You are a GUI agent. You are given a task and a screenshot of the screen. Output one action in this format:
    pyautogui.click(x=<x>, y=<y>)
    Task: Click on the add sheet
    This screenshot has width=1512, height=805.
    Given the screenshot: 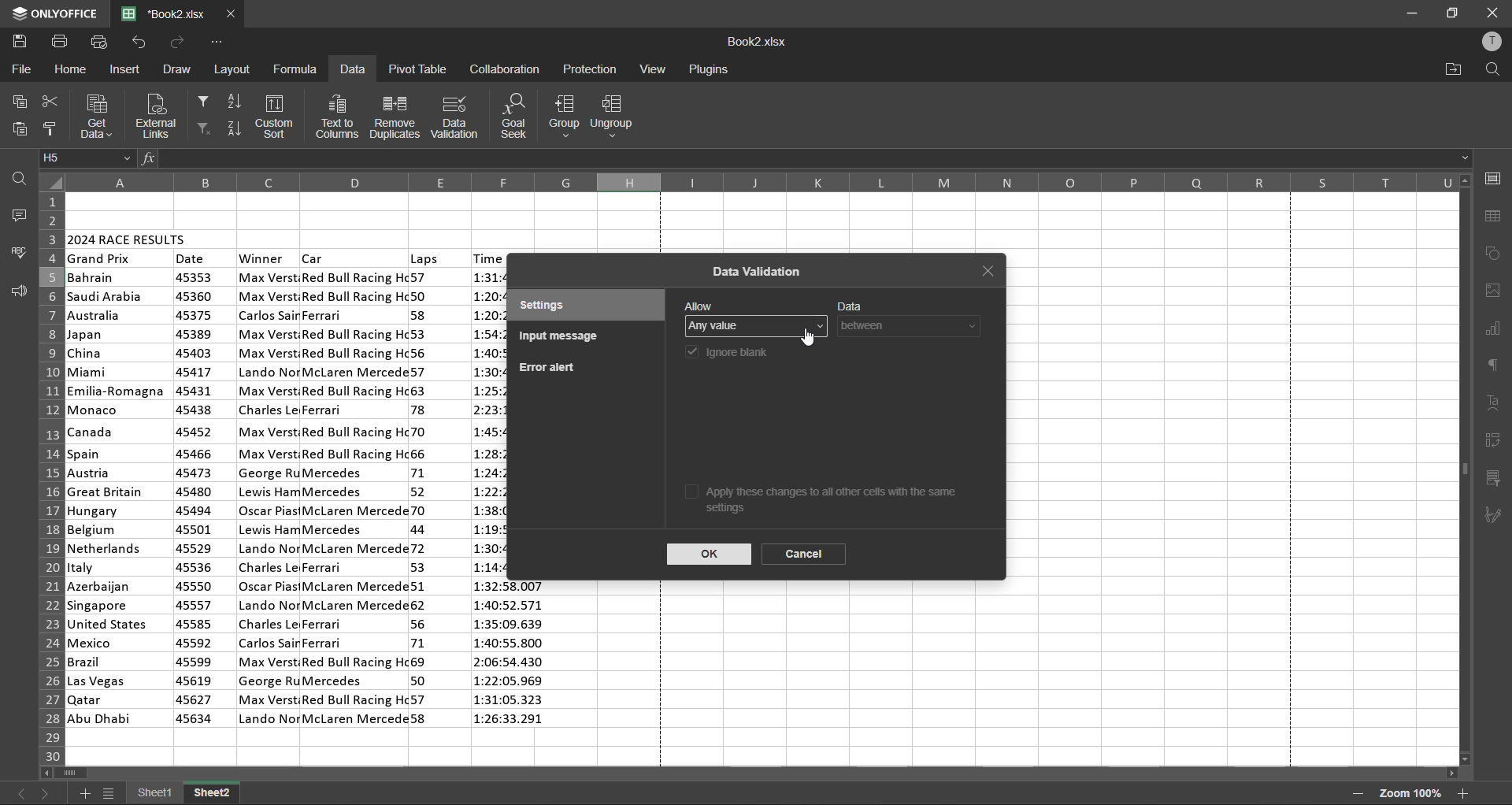 What is the action you would take?
    pyautogui.click(x=84, y=793)
    